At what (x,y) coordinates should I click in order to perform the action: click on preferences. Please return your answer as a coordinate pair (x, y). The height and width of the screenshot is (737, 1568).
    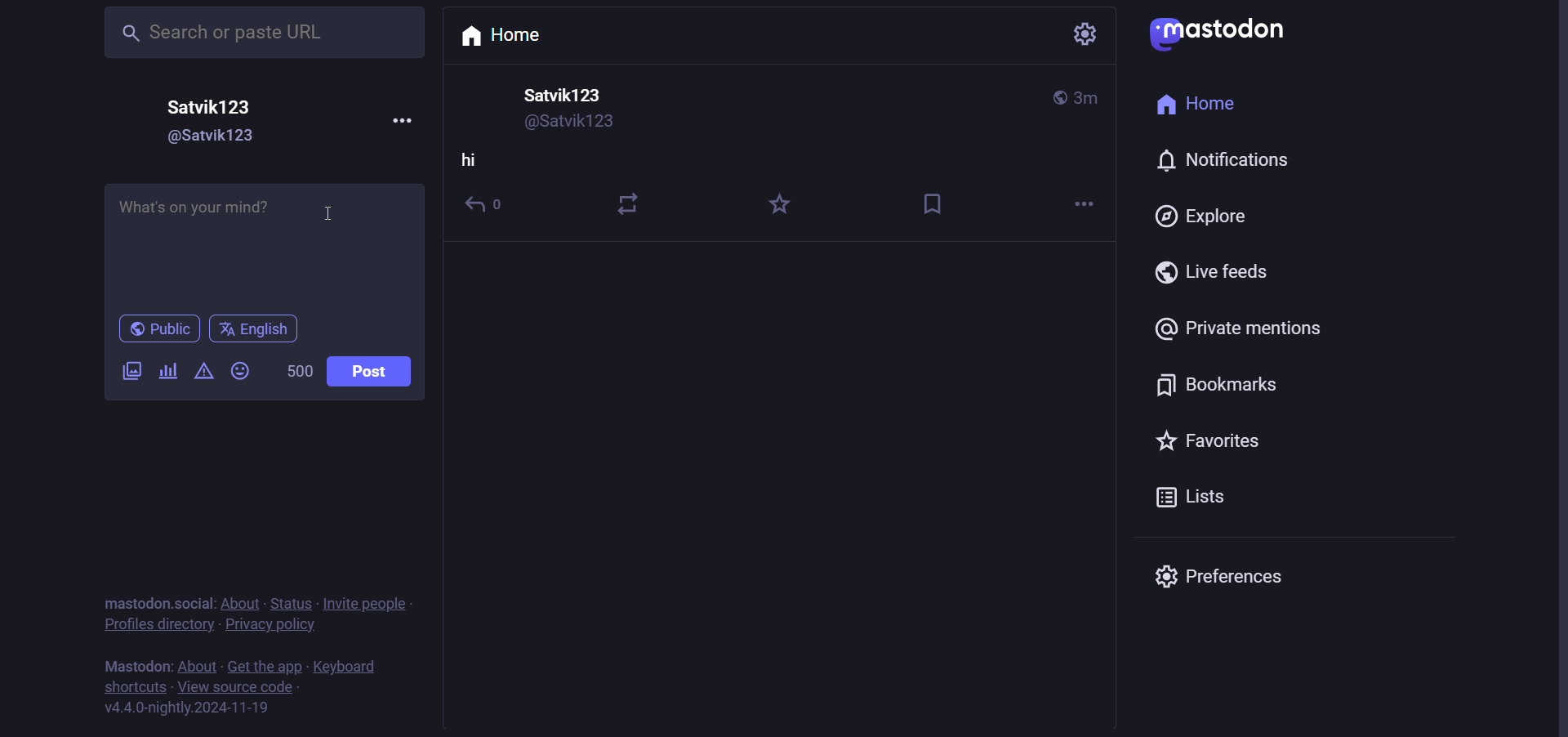
    Looking at the image, I should click on (1219, 573).